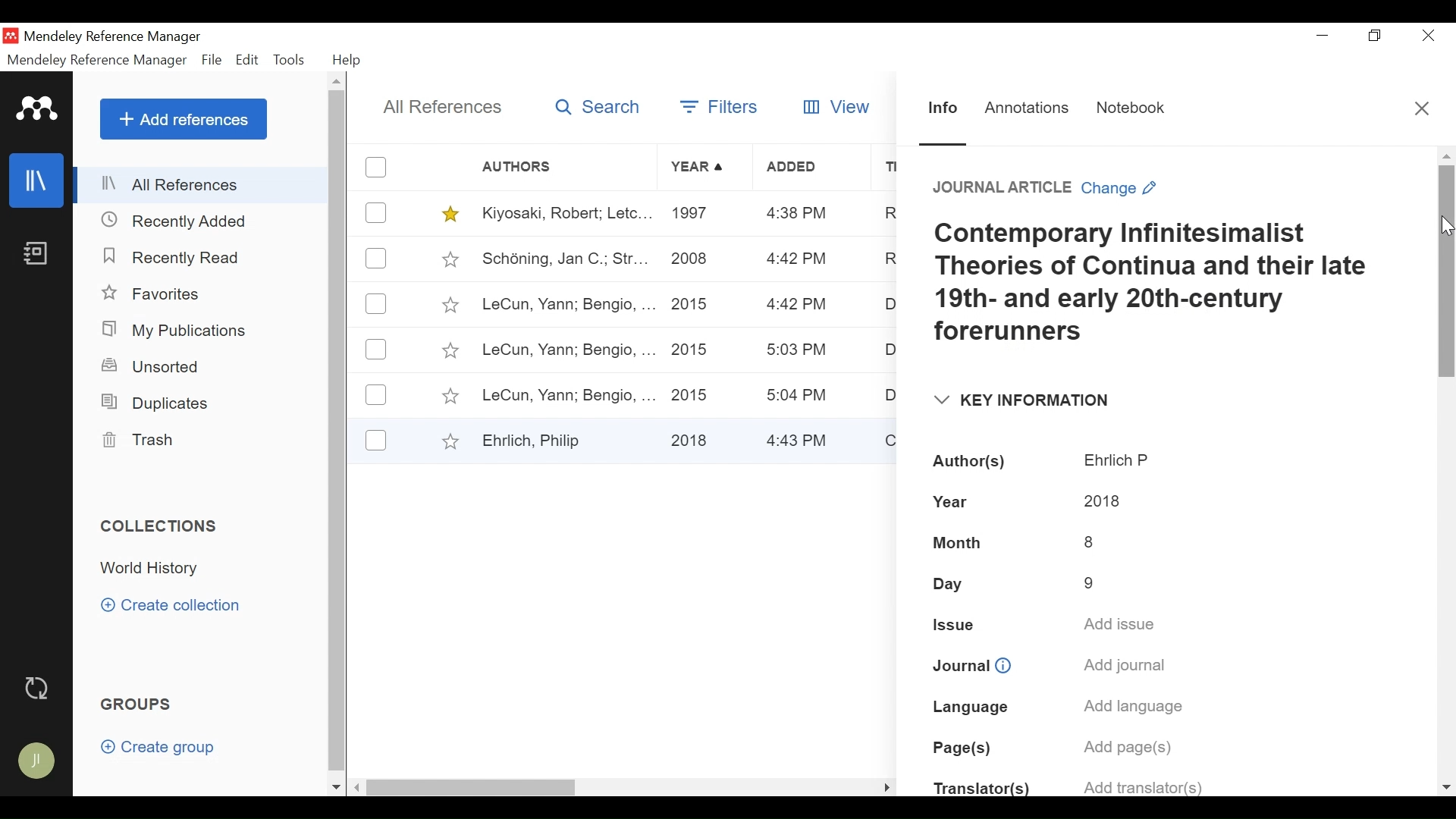 Image resolution: width=1456 pixels, height=819 pixels. I want to click on Ehrlich P, so click(1119, 461).